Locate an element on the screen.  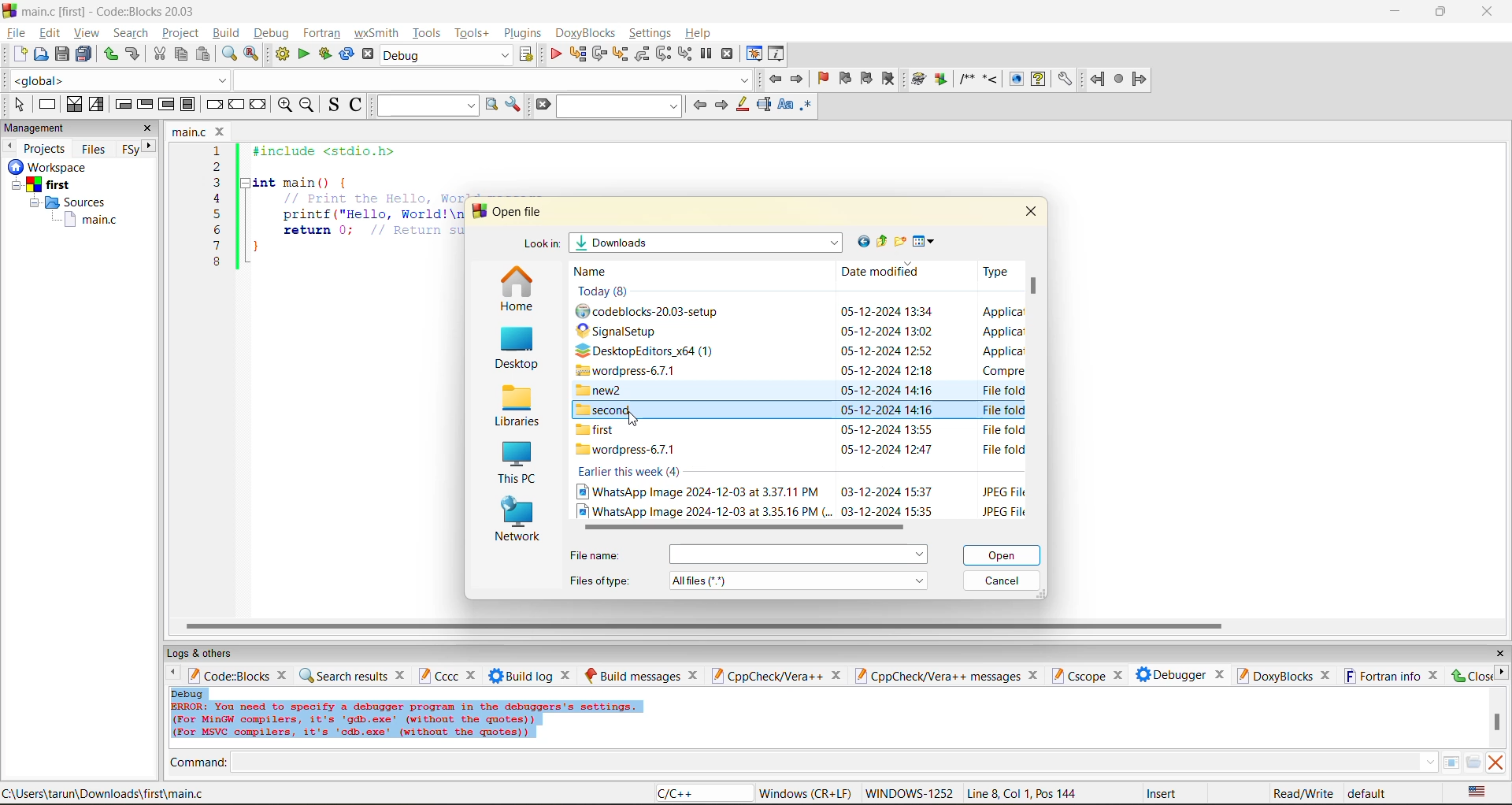
image file is located at coordinates (702, 510).